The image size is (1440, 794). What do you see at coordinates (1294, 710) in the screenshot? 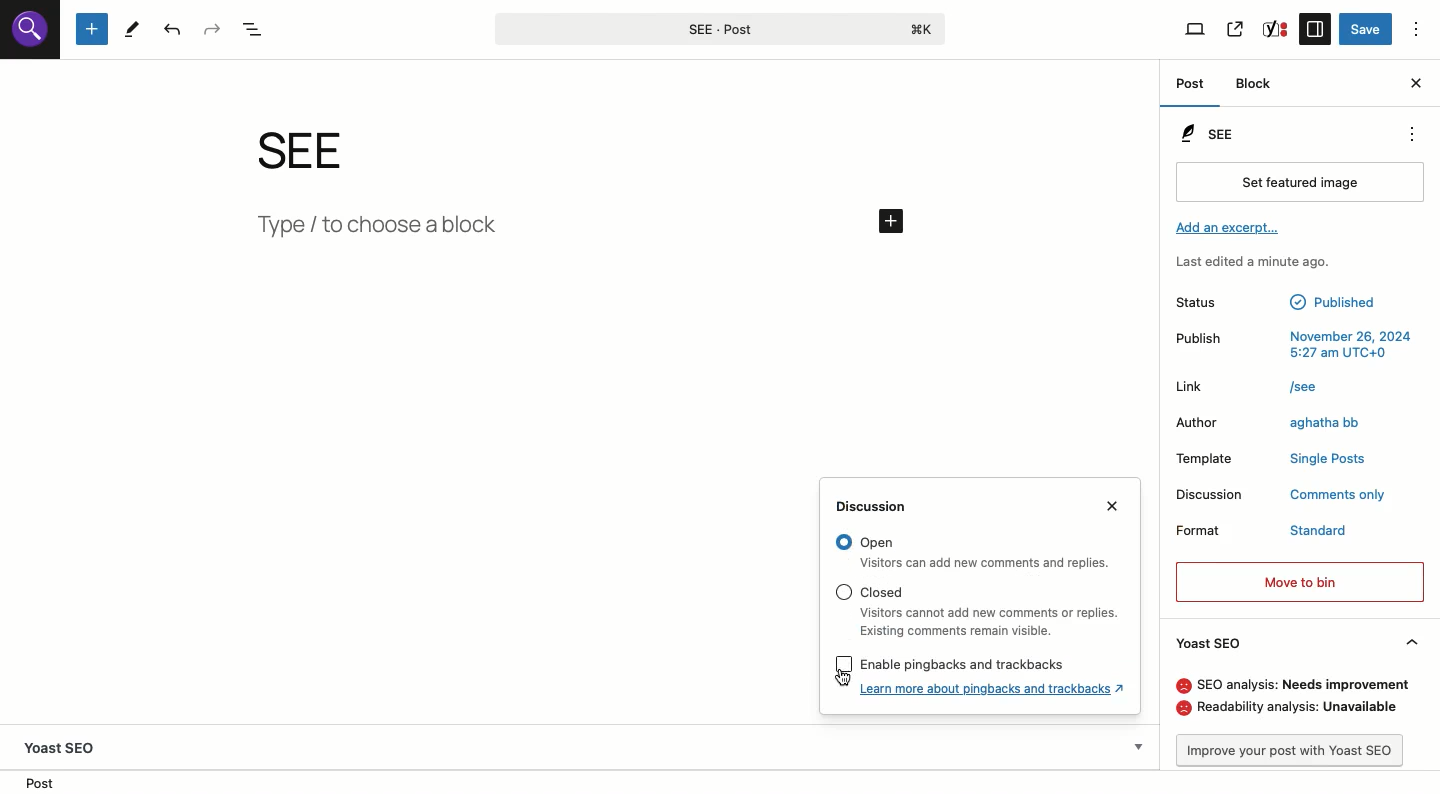
I see `Readability analysis: unavailable` at bounding box center [1294, 710].